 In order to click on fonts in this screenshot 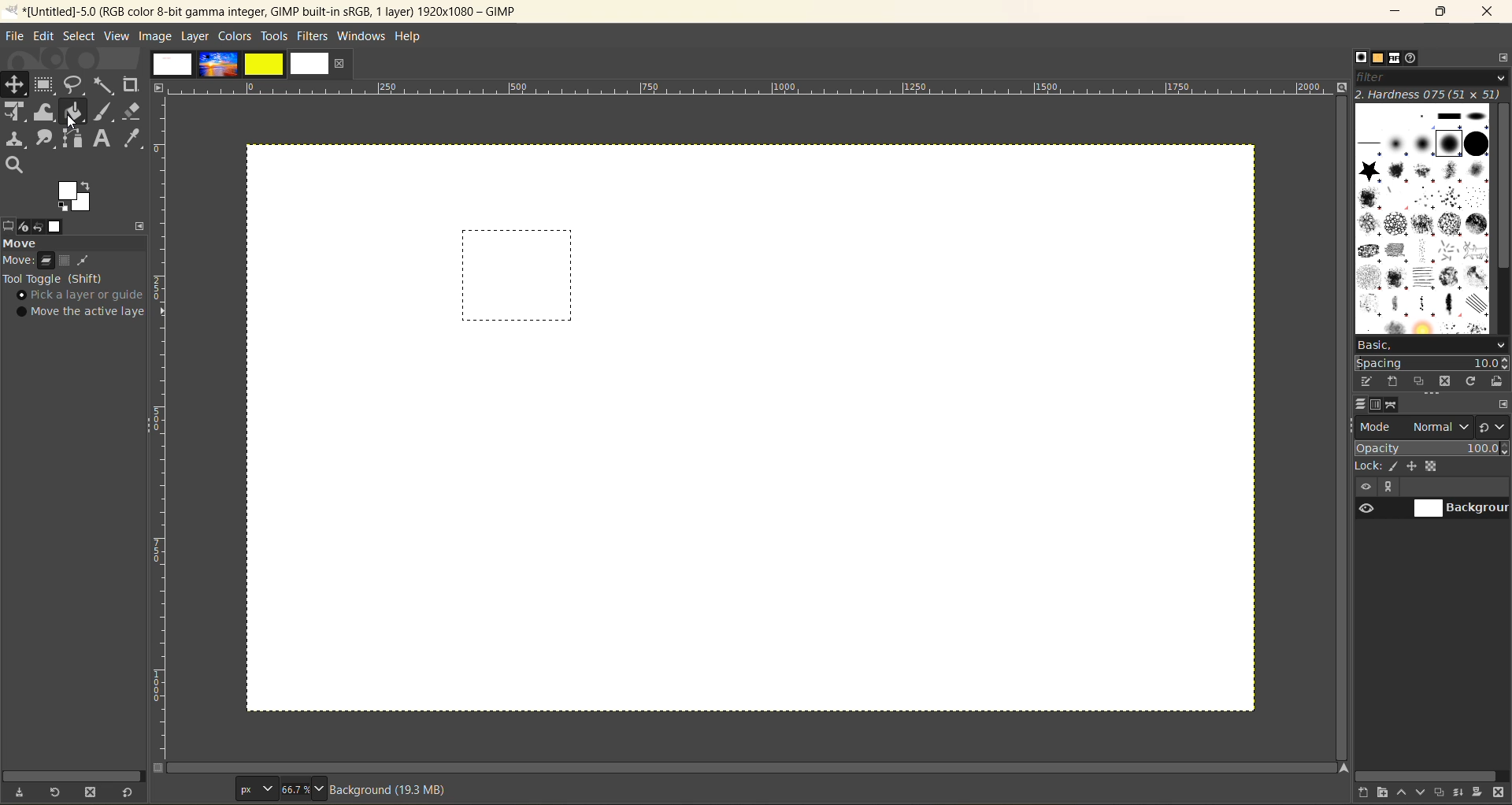, I will do `click(1393, 60)`.